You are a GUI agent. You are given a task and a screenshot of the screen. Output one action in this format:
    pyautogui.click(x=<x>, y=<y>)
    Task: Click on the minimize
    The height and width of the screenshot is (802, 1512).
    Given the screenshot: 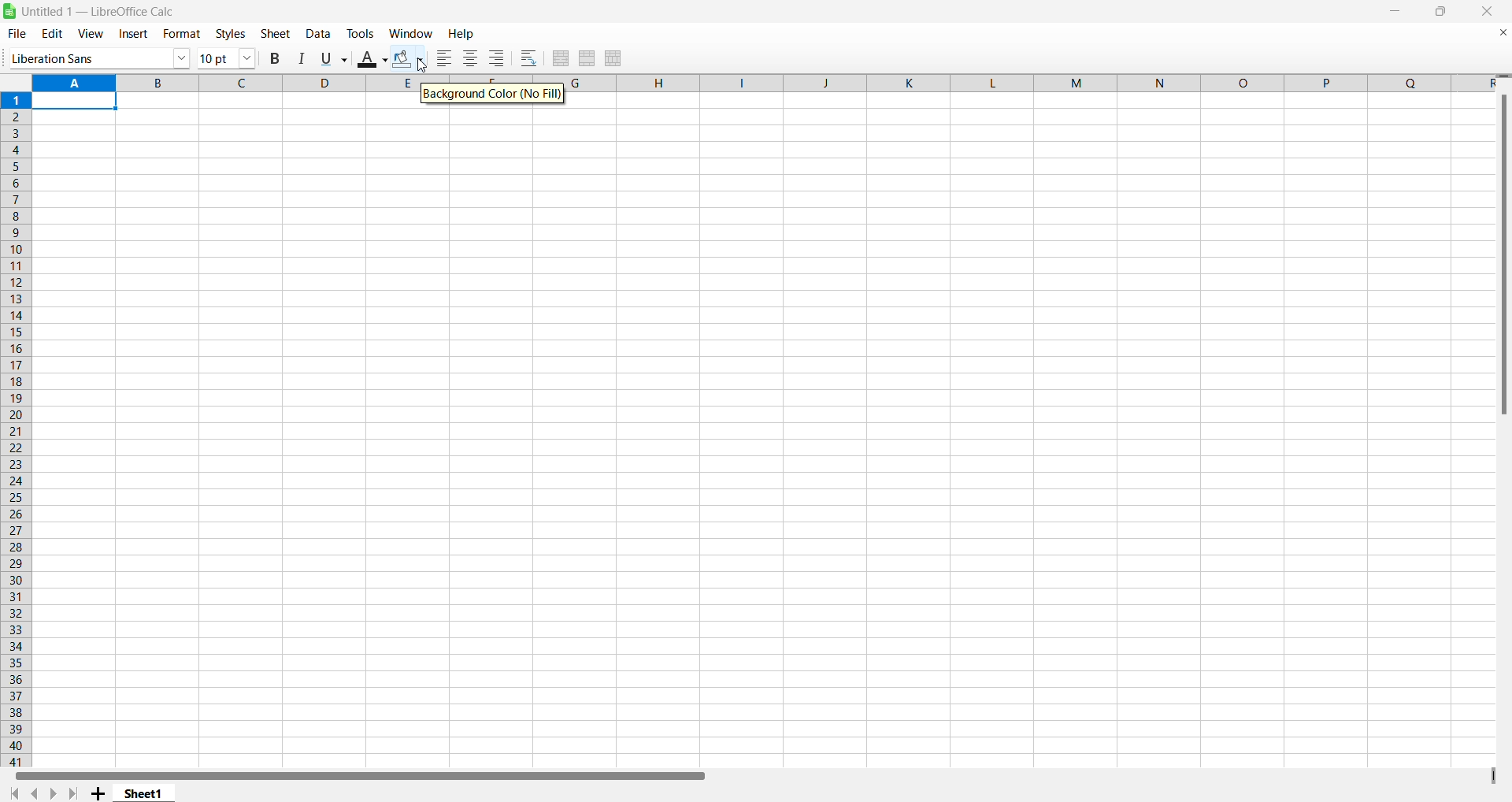 What is the action you would take?
    pyautogui.click(x=1398, y=14)
    